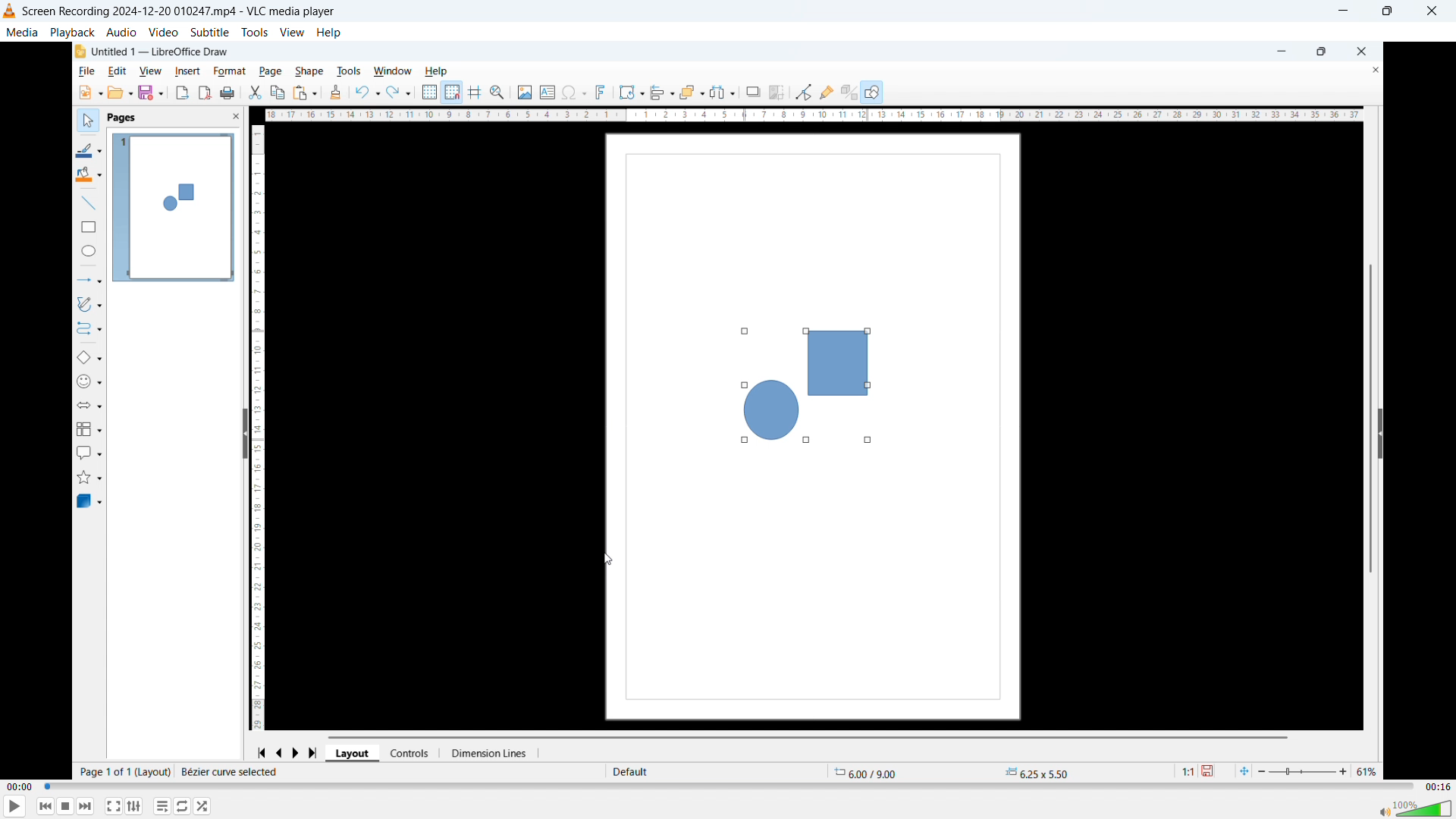  I want to click on random , so click(202, 806).